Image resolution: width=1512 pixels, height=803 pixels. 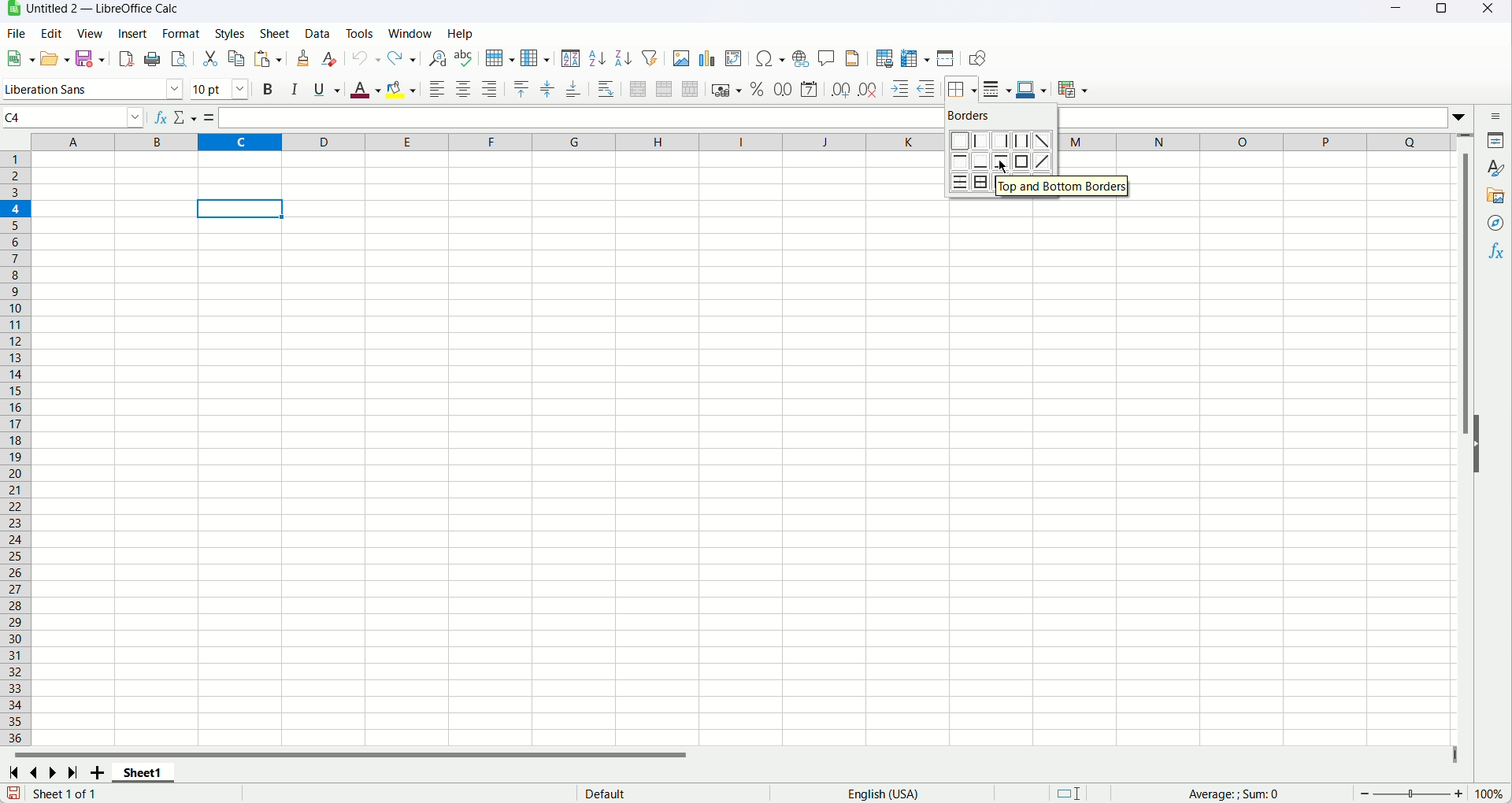 What do you see at coordinates (707, 58) in the screenshot?
I see `Insert chart` at bounding box center [707, 58].